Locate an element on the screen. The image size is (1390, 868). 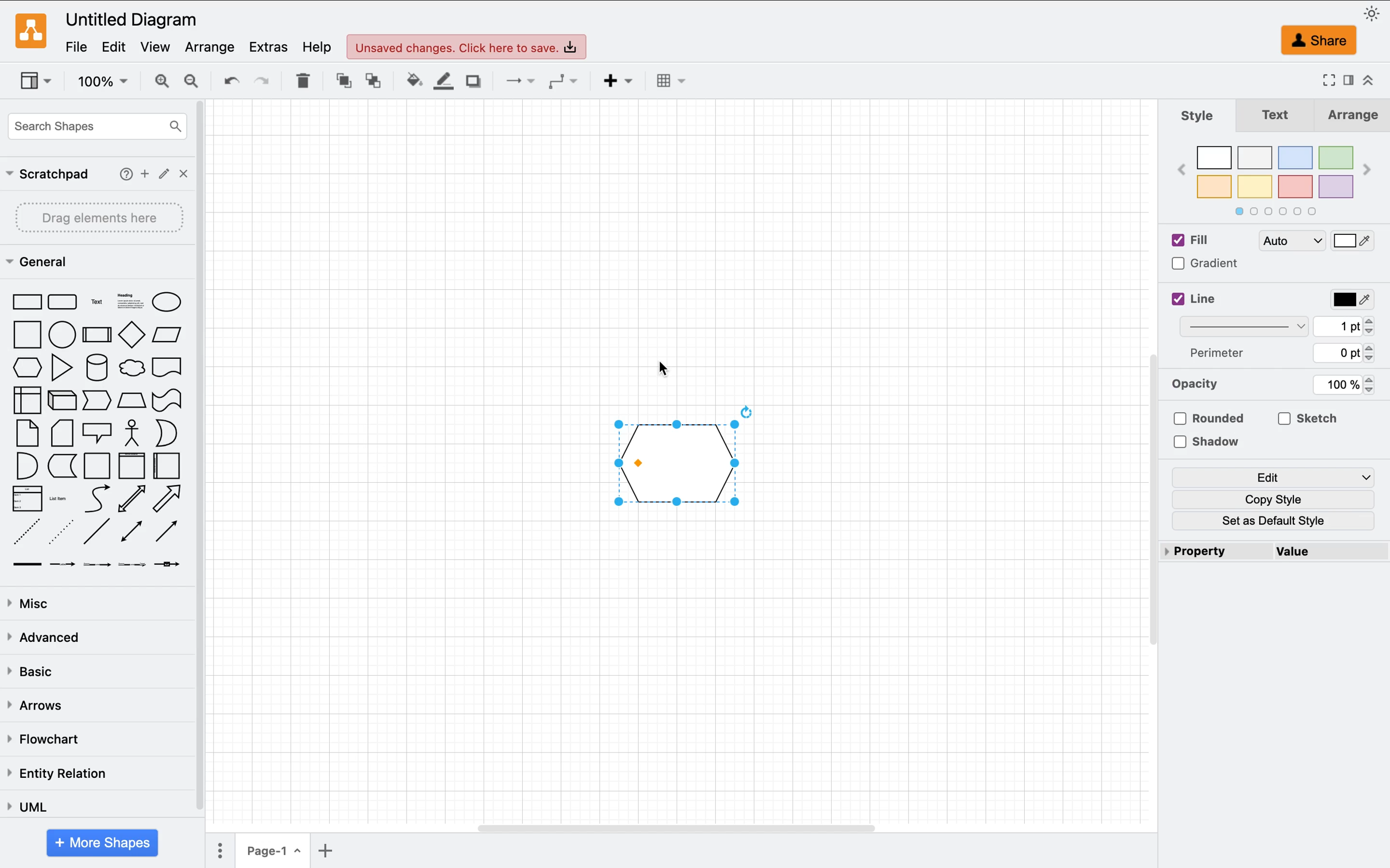
table is located at coordinates (678, 80).